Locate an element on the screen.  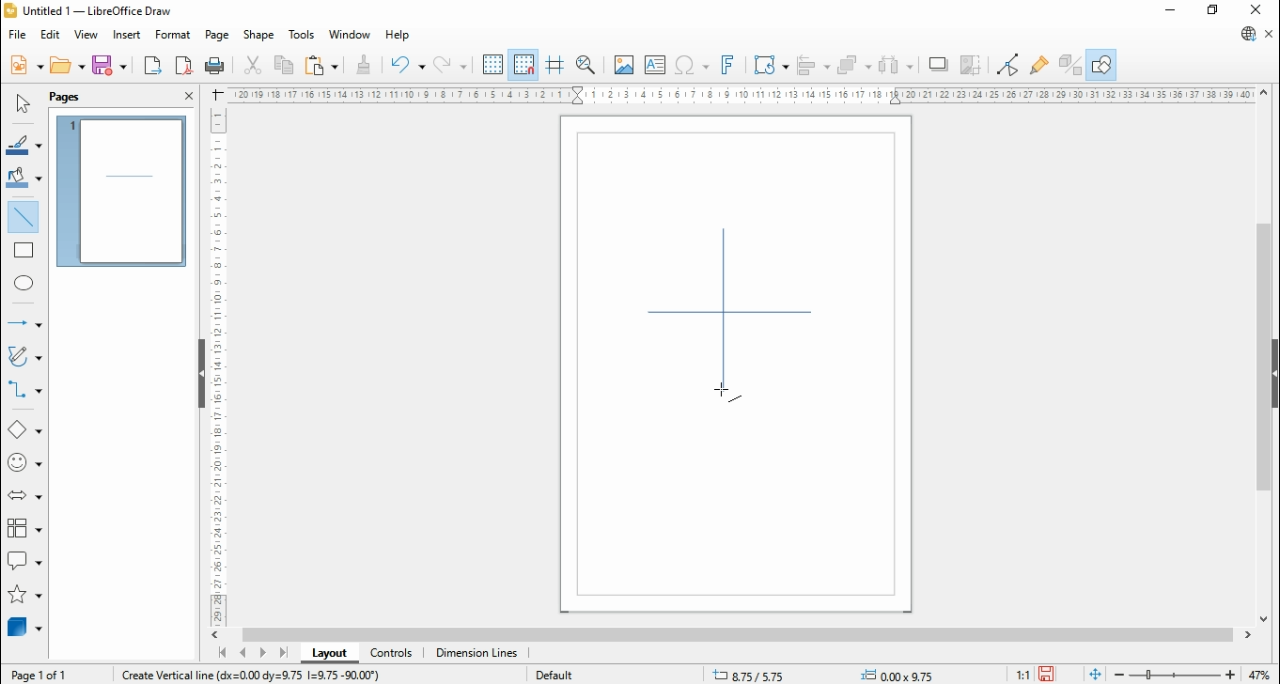
close pane is located at coordinates (188, 96).